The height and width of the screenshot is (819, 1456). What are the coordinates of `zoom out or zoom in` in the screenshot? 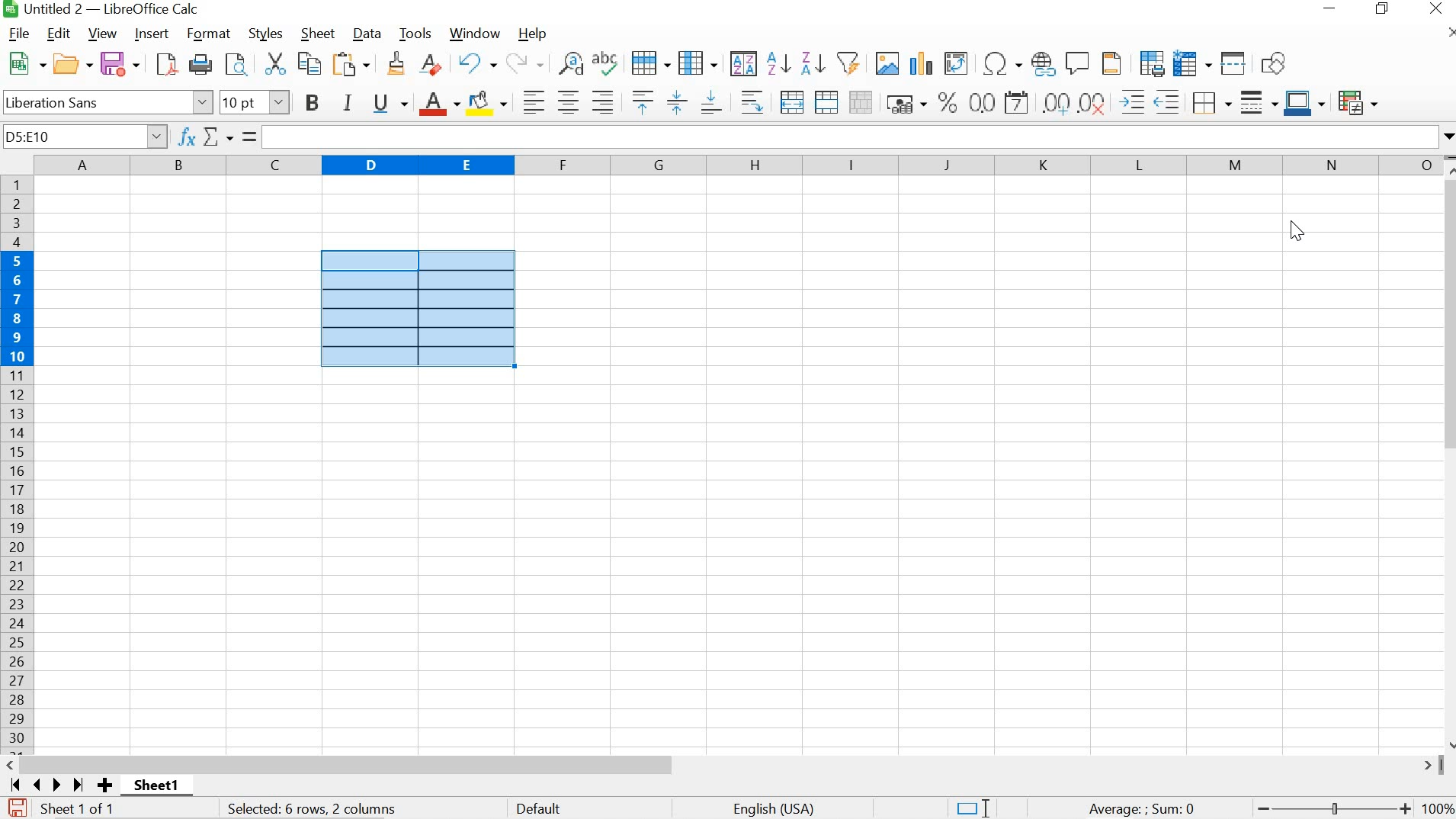 It's located at (1331, 810).